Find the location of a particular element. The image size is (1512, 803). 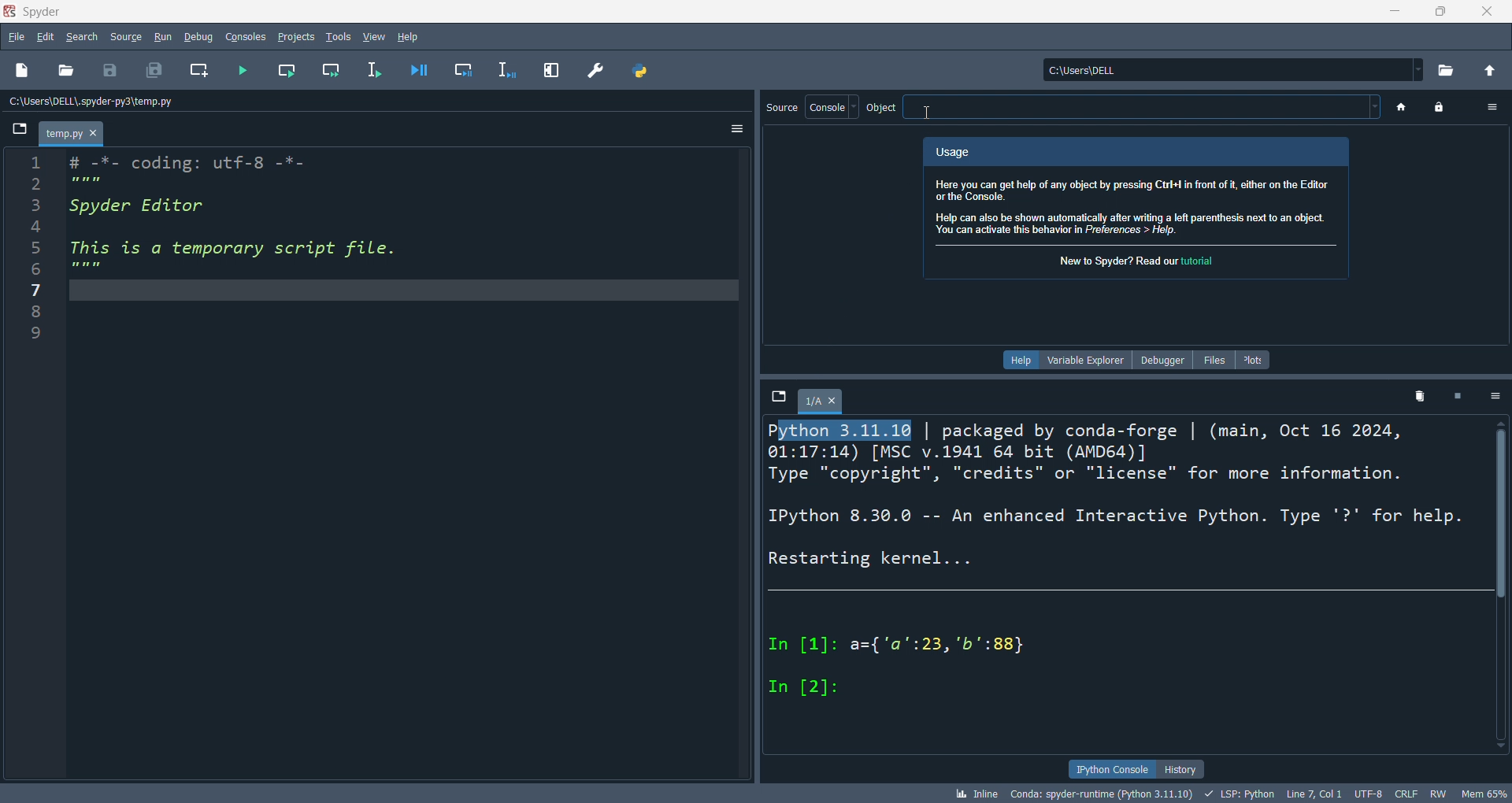

conda: spyder-runtime (Python 3.11.10) is located at coordinates (1105, 794).